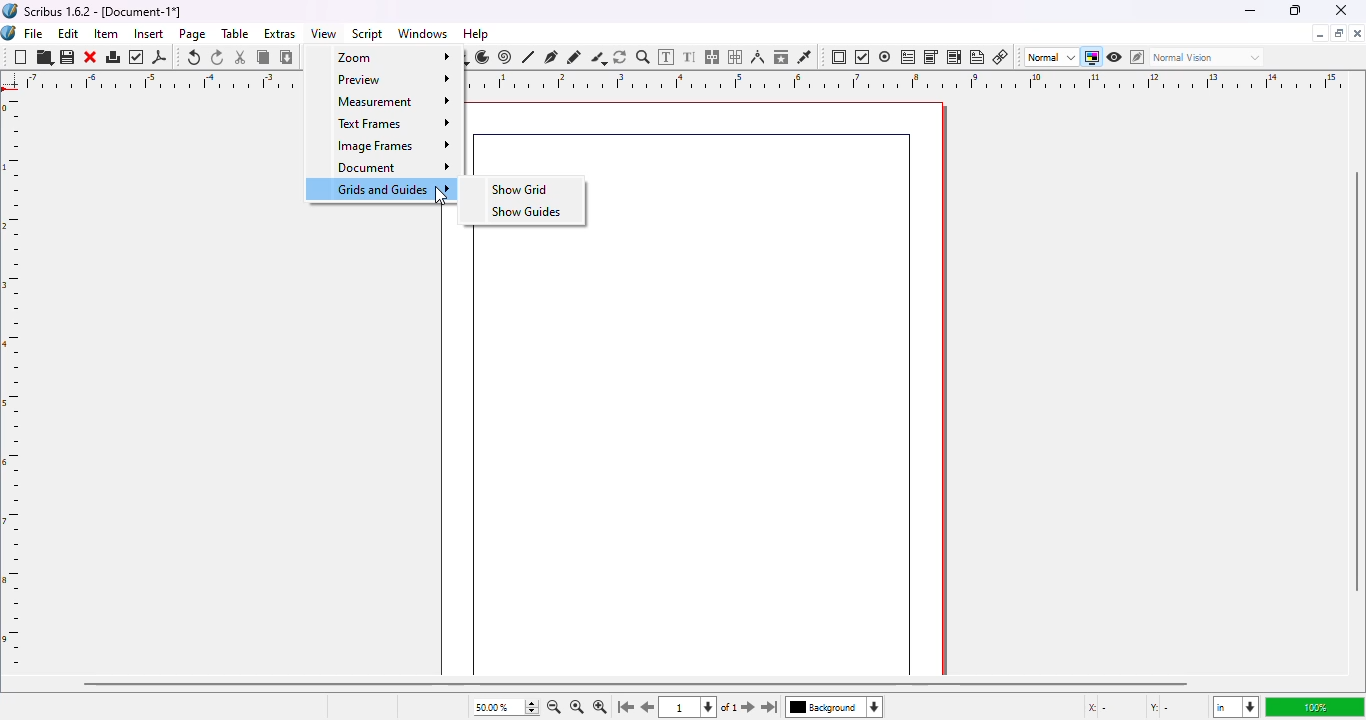 This screenshot has height=720, width=1366. What do you see at coordinates (1131, 708) in the screenshot?
I see `X -        Y -` at bounding box center [1131, 708].